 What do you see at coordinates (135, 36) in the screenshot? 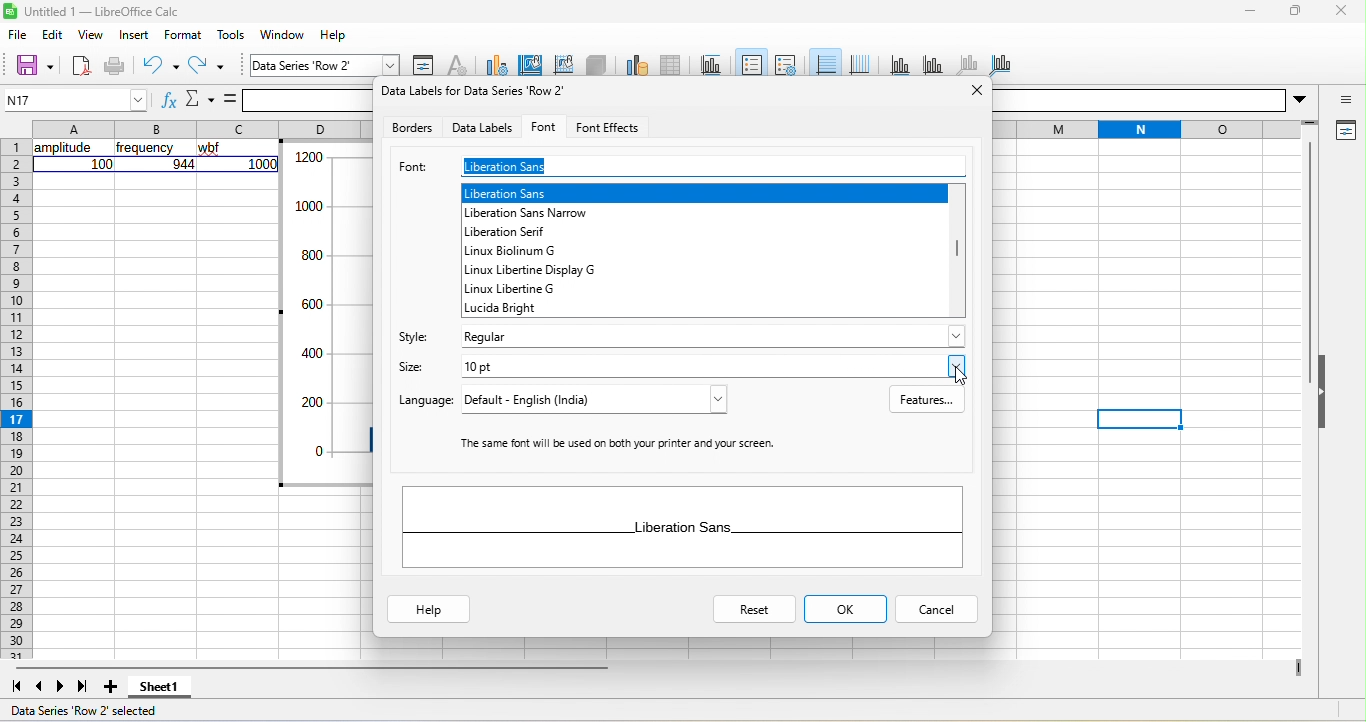
I see `insert` at bounding box center [135, 36].